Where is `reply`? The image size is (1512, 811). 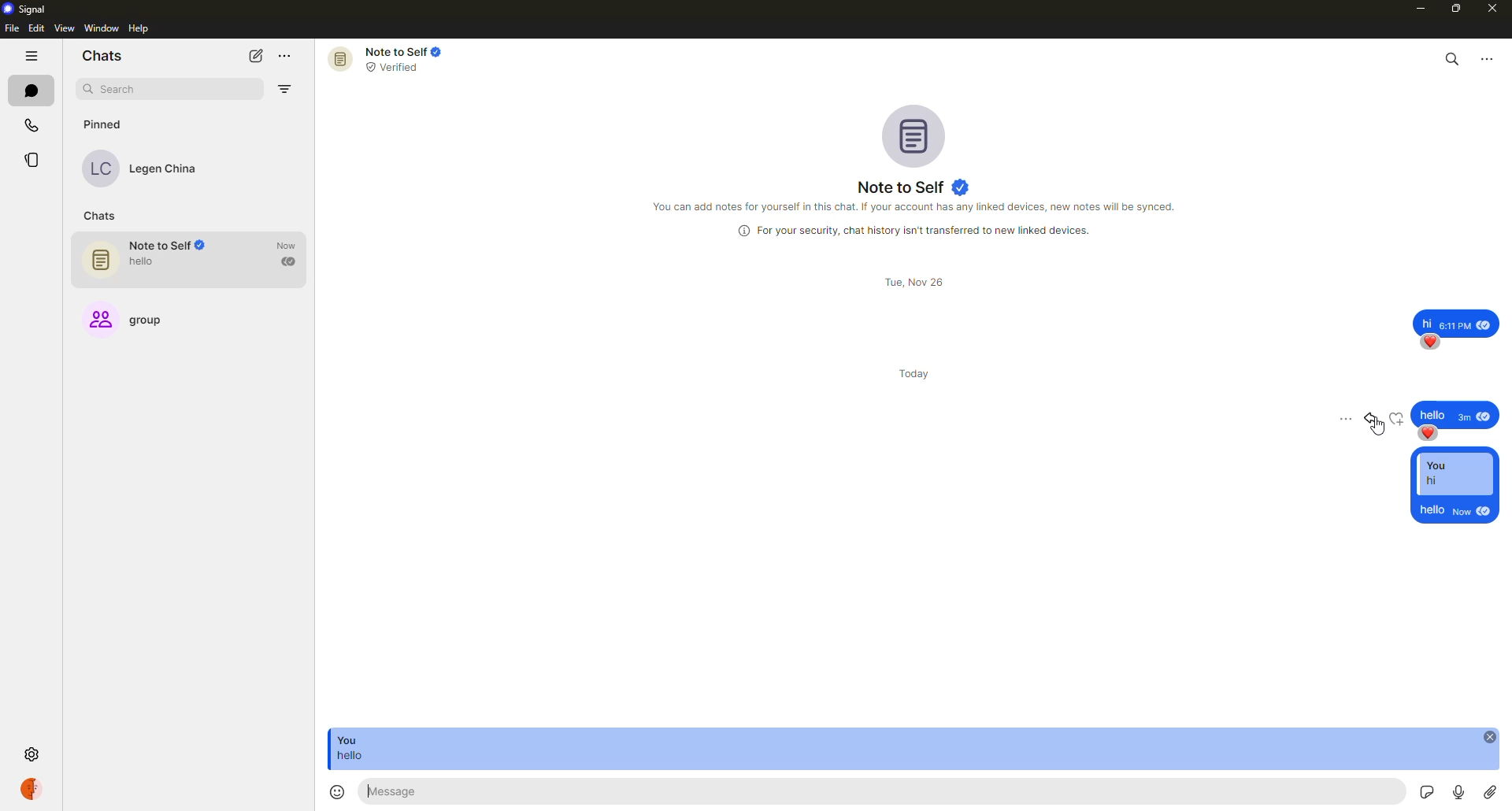 reply is located at coordinates (1453, 484).